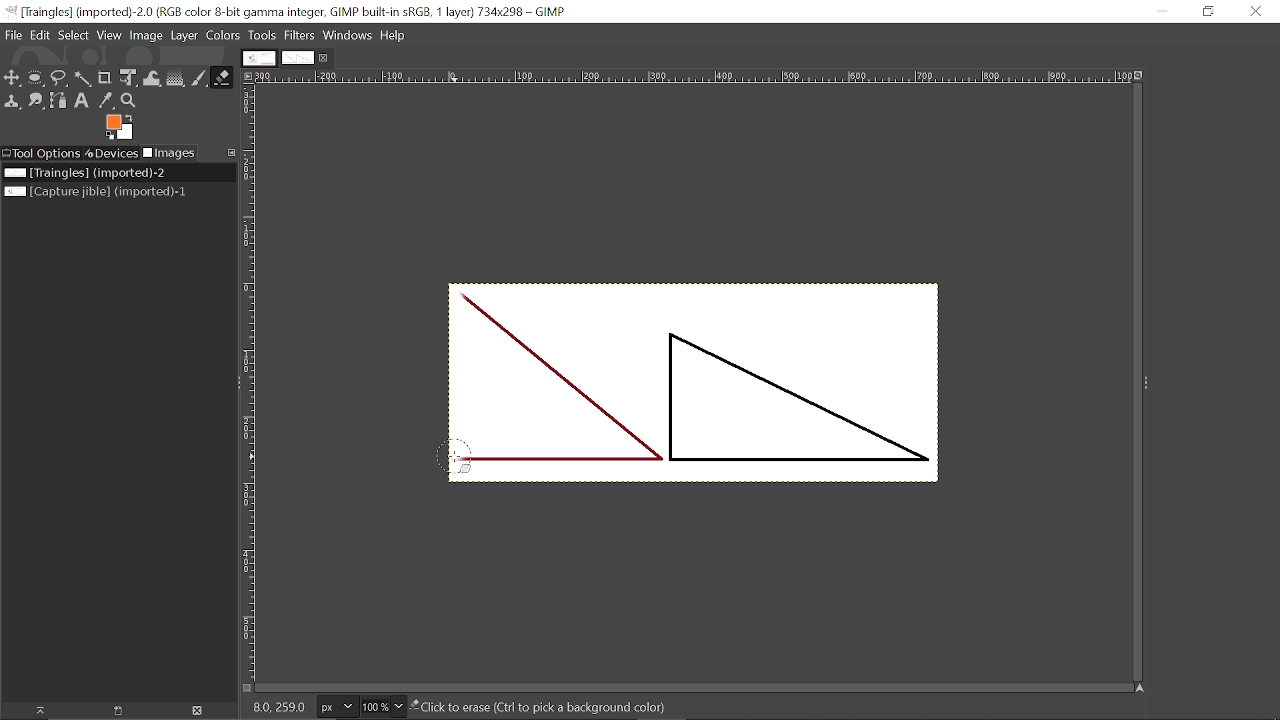  Describe the element at coordinates (199, 78) in the screenshot. I see `Paintbrush tool` at that location.